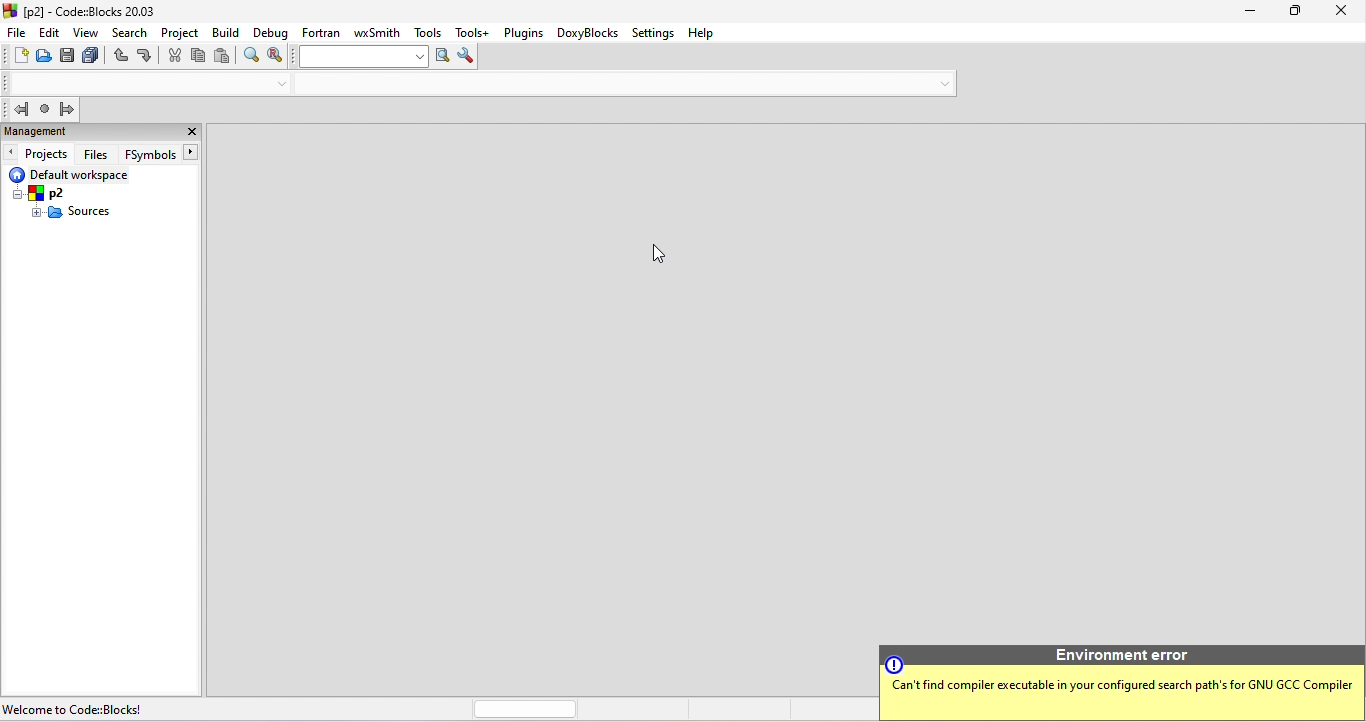 Image resolution: width=1366 pixels, height=722 pixels. What do you see at coordinates (280, 56) in the screenshot?
I see `replace` at bounding box center [280, 56].